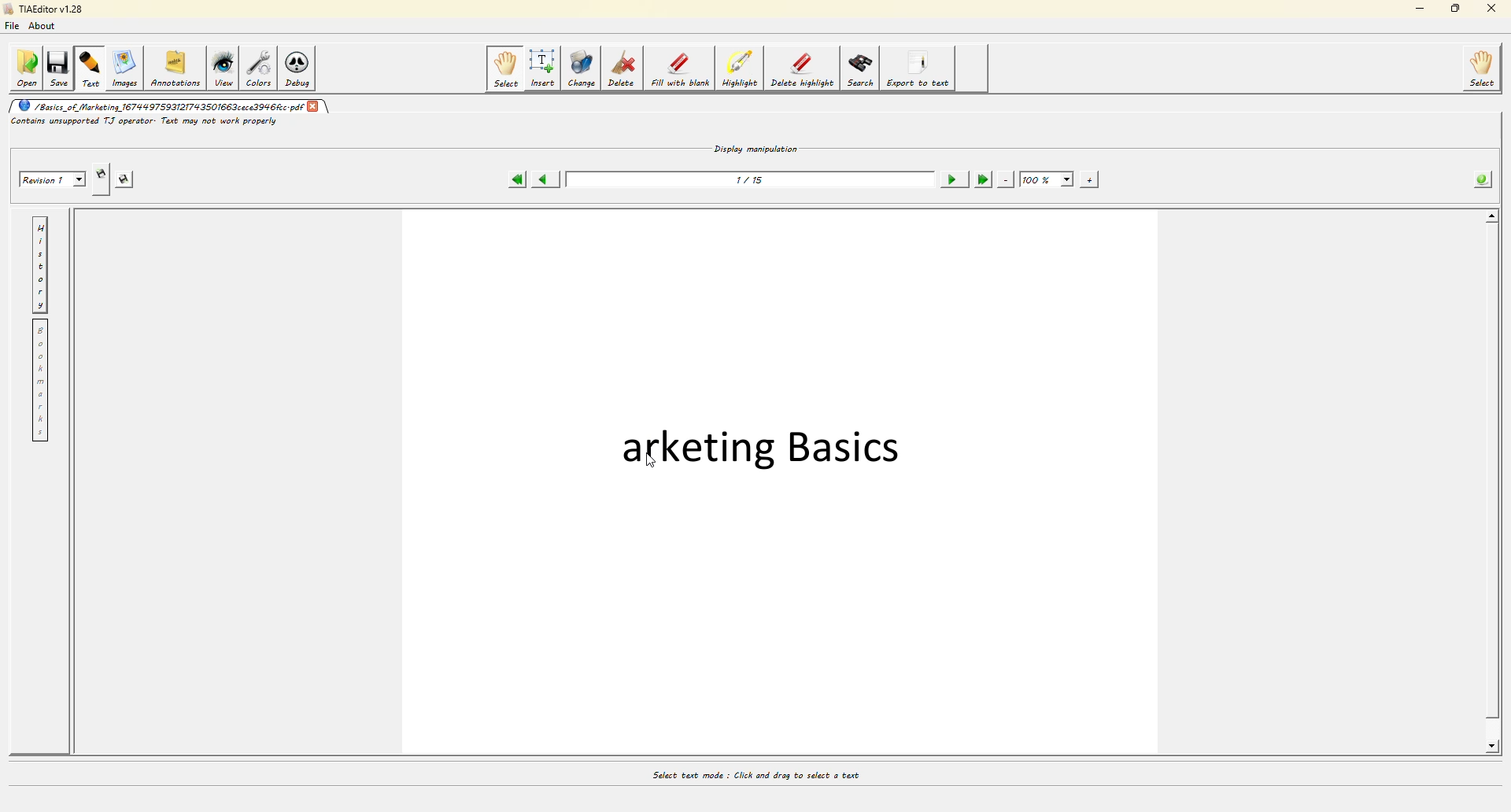 The width and height of the screenshot is (1511, 812). What do you see at coordinates (504, 68) in the screenshot?
I see `select` at bounding box center [504, 68].